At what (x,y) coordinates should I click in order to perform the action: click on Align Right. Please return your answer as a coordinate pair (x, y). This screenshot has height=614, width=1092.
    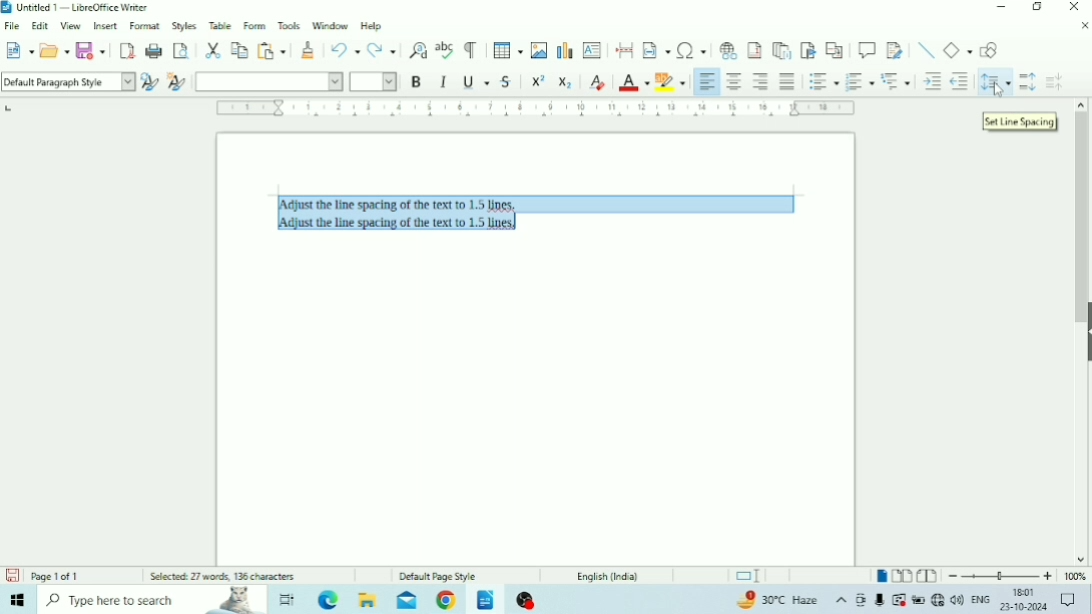
    Looking at the image, I should click on (759, 82).